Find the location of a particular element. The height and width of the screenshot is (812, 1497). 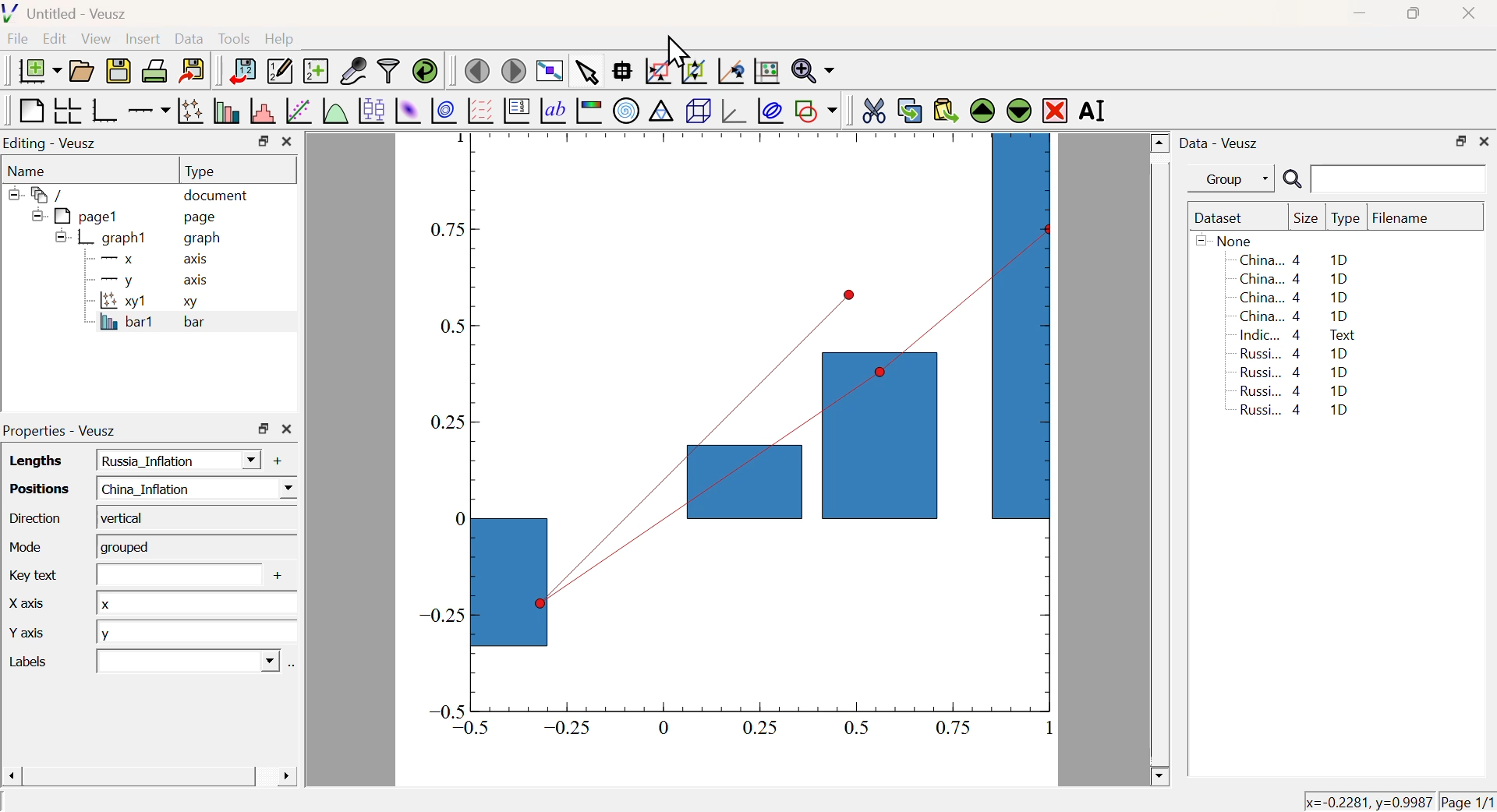

Create new dataset is located at coordinates (315, 72).